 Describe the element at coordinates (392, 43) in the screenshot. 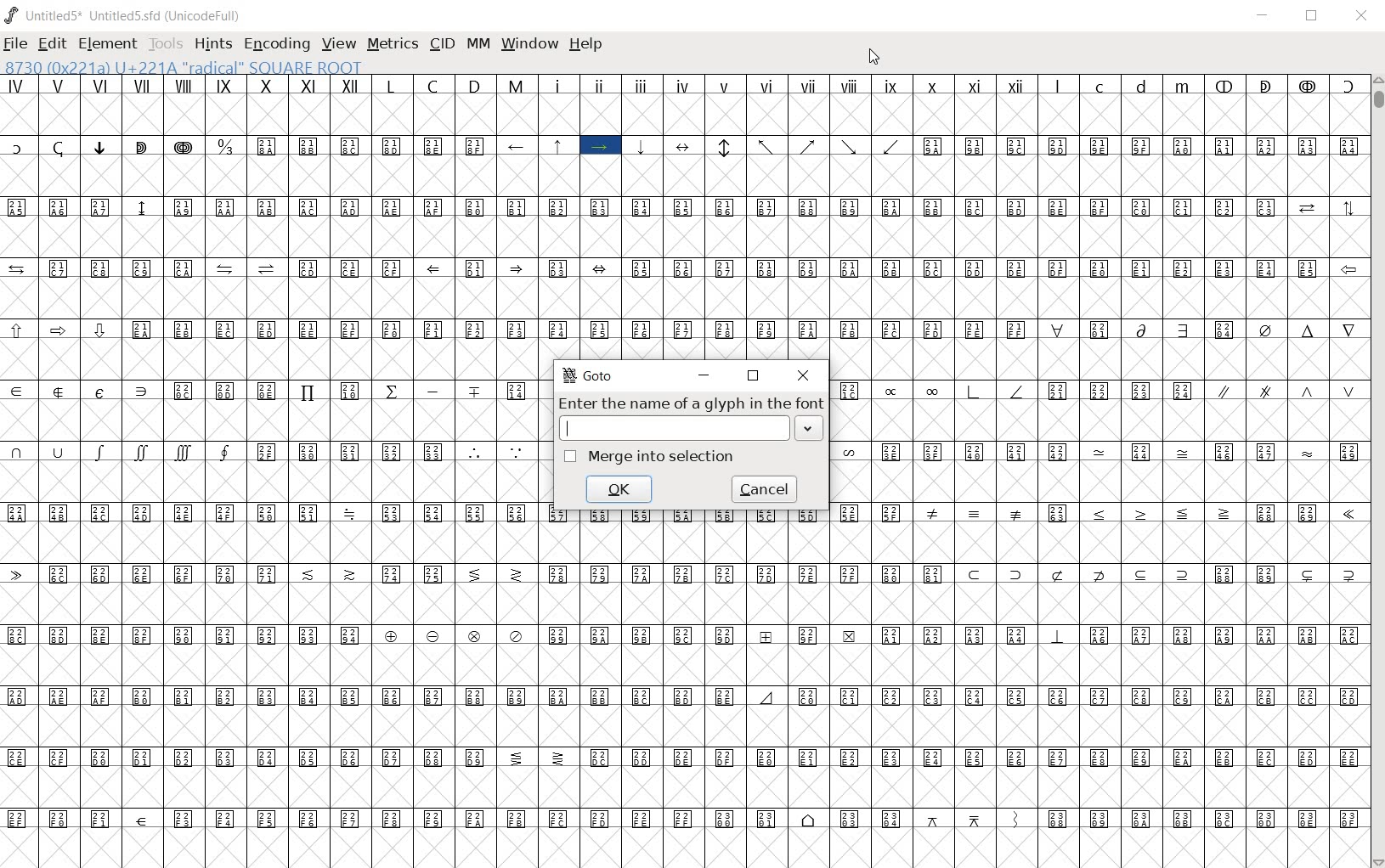

I see `METRICS` at that location.